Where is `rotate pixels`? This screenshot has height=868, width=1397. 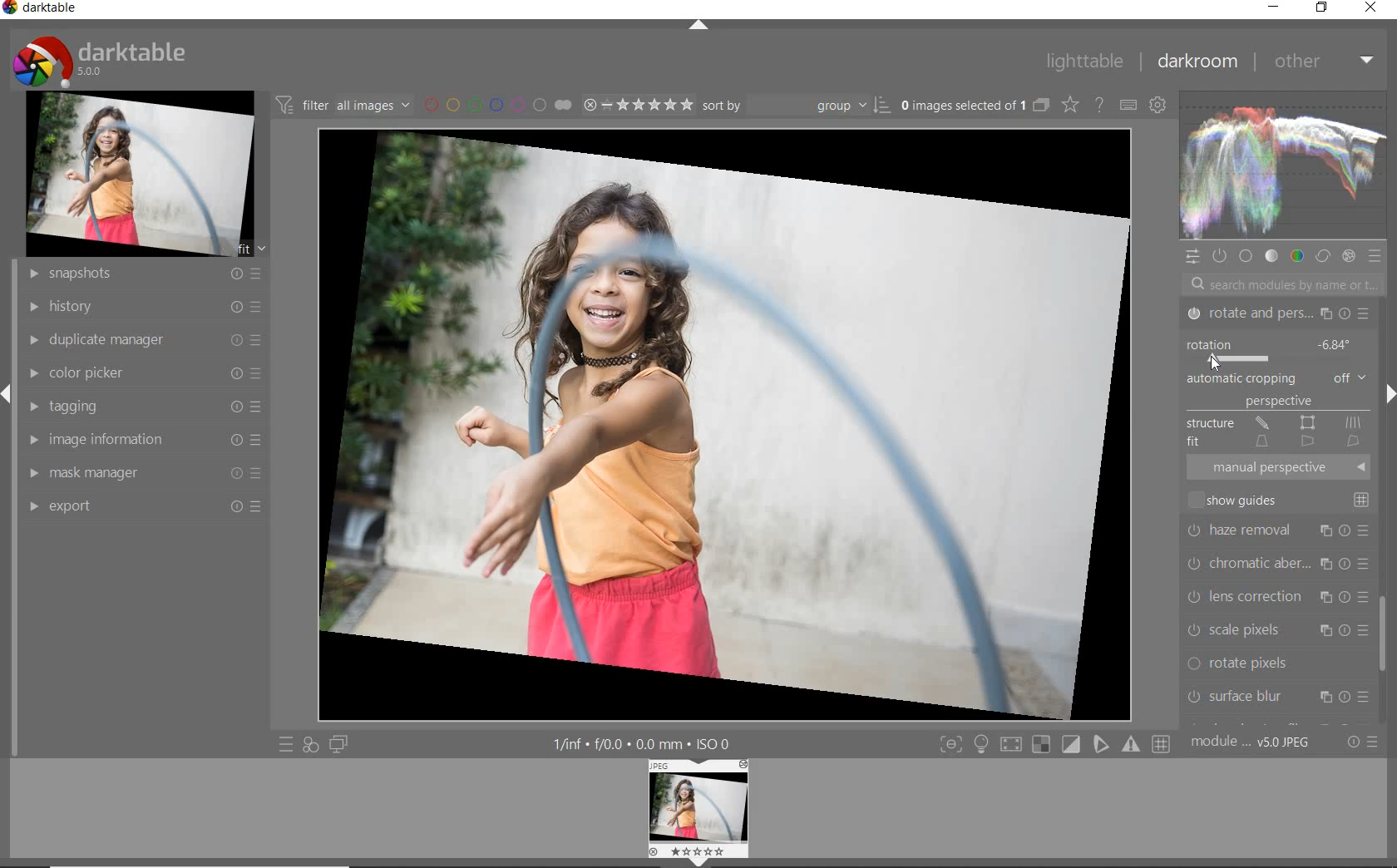
rotate pixels is located at coordinates (1276, 664).